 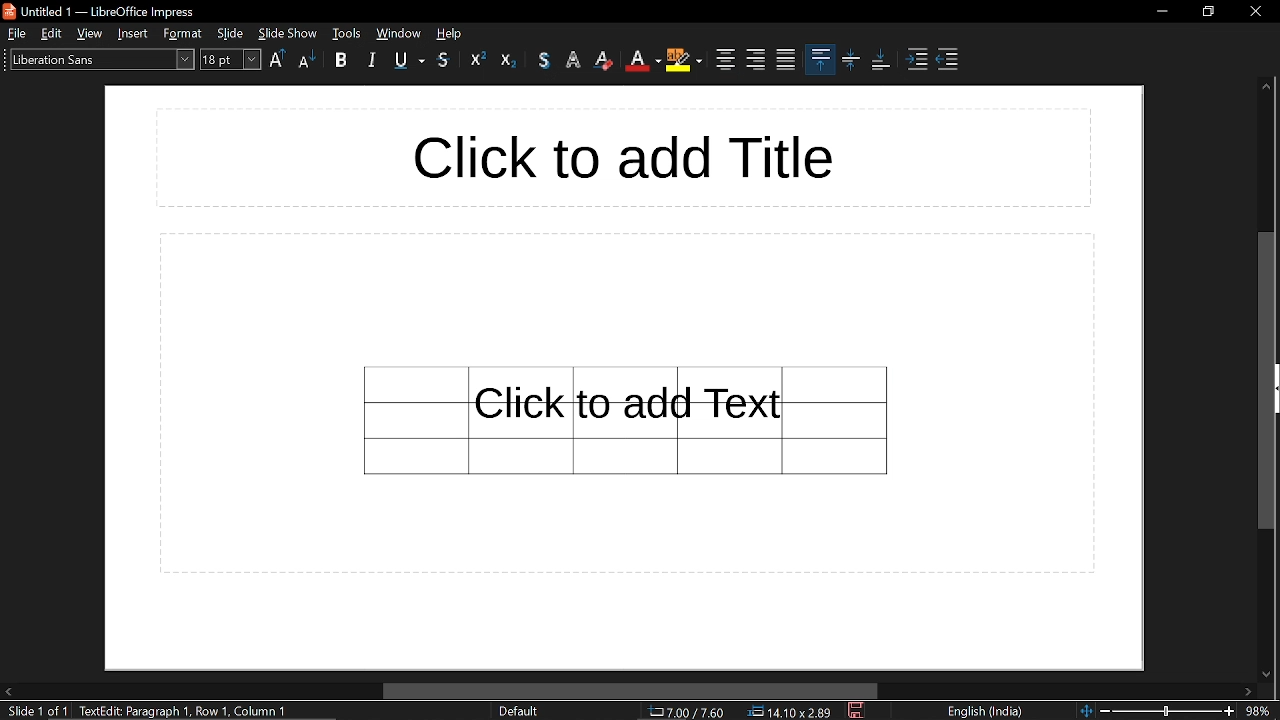 What do you see at coordinates (625, 421) in the screenshot?
I see `Table` at bounding box center [625, 421].